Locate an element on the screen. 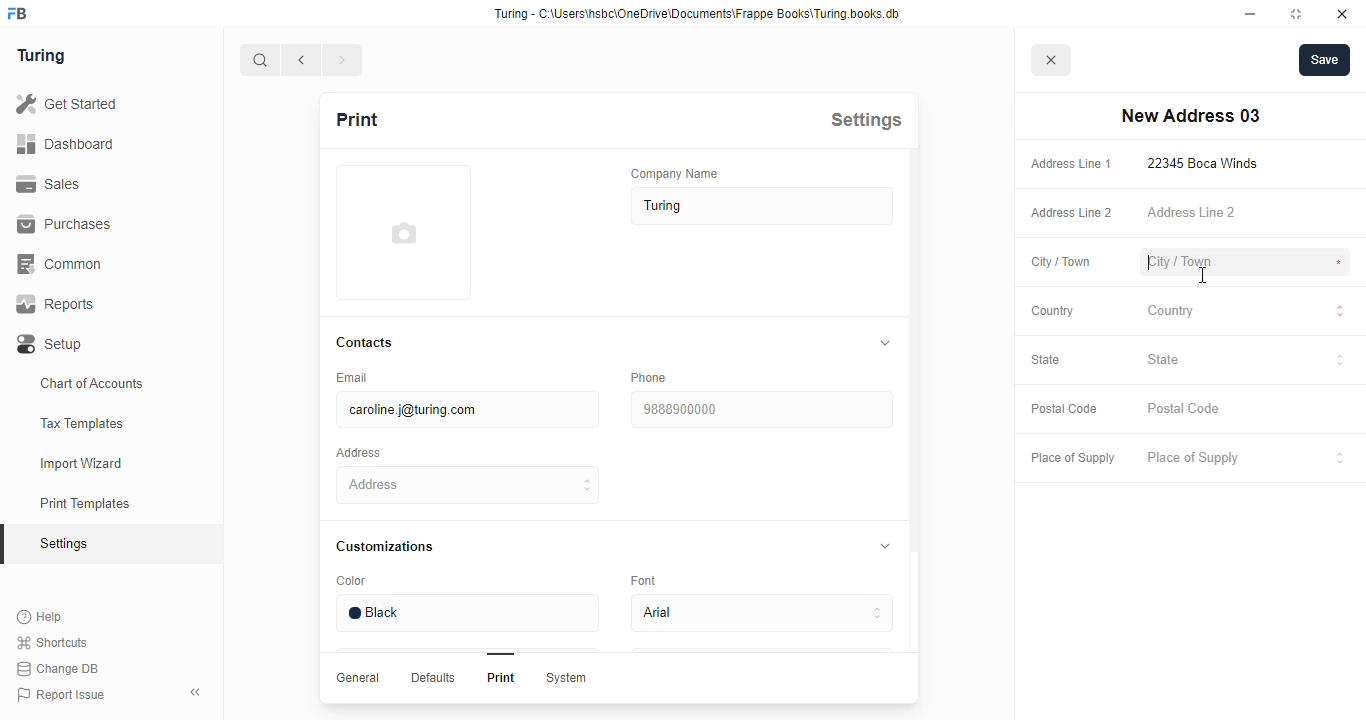  print is located at coordinates (356, 119).